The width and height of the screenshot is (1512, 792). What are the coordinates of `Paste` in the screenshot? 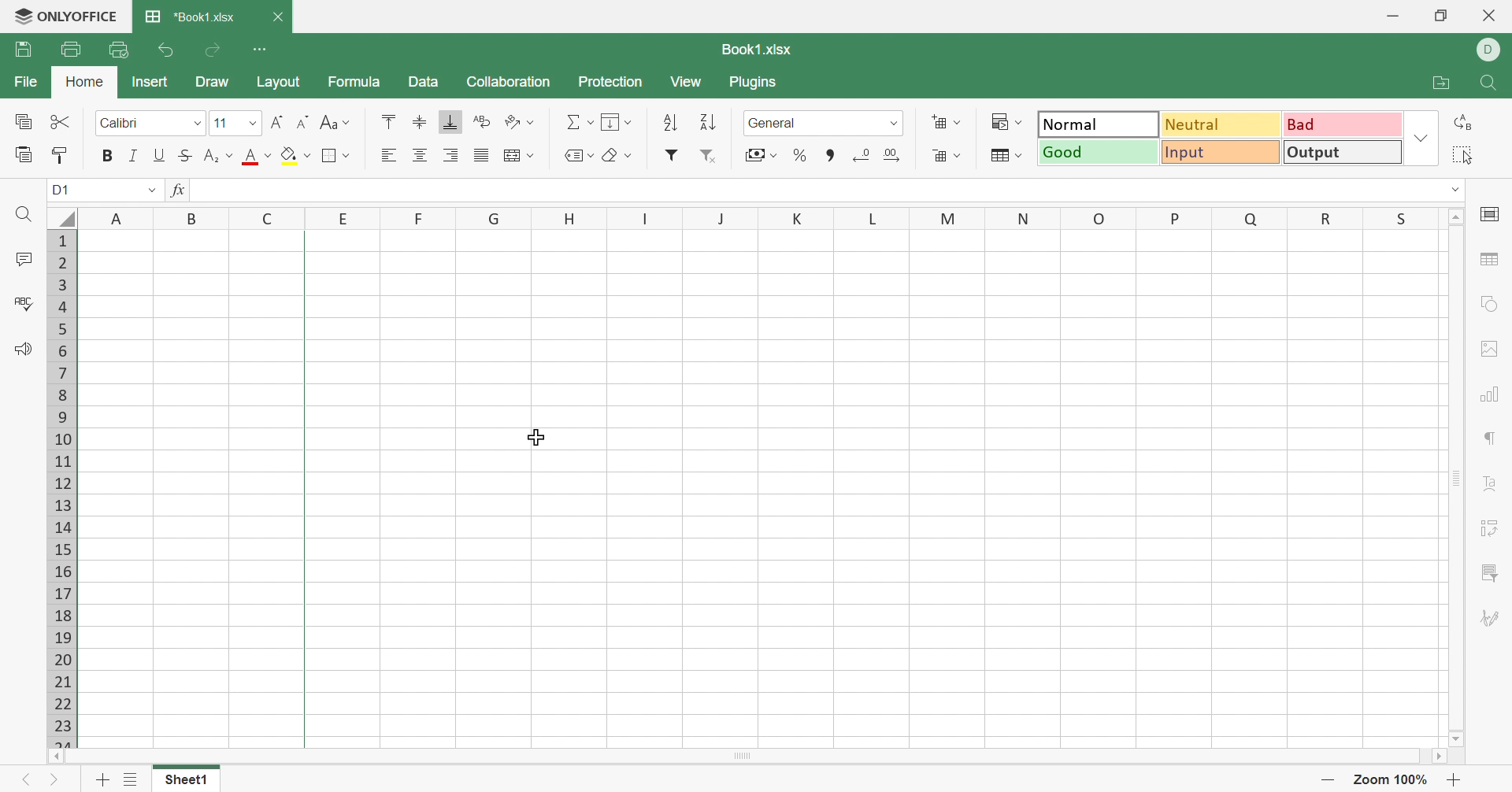 It's located at (20, 156).